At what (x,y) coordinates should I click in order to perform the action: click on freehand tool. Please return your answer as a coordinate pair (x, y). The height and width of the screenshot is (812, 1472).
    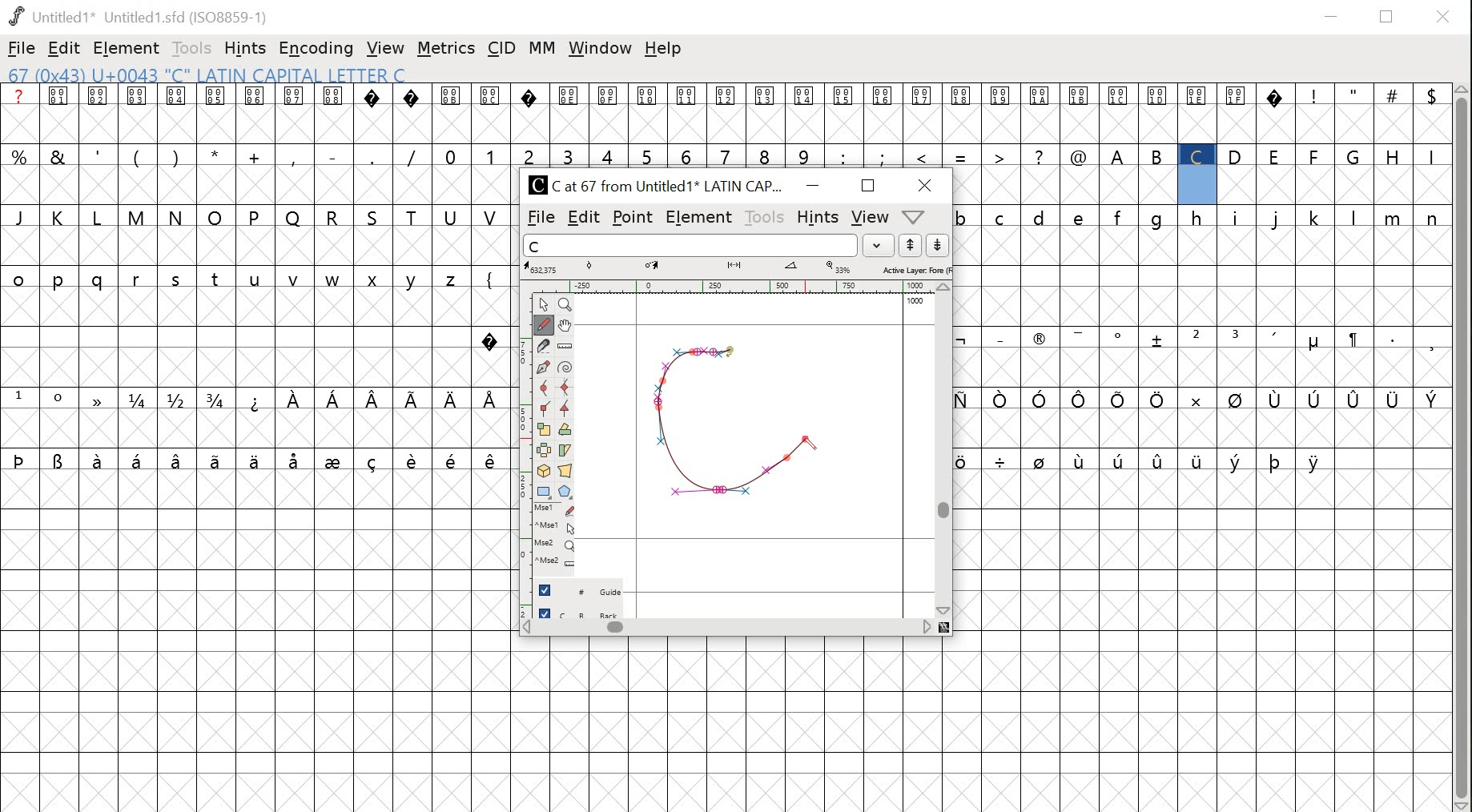
    Looking at the image, I should click on (547, 324).